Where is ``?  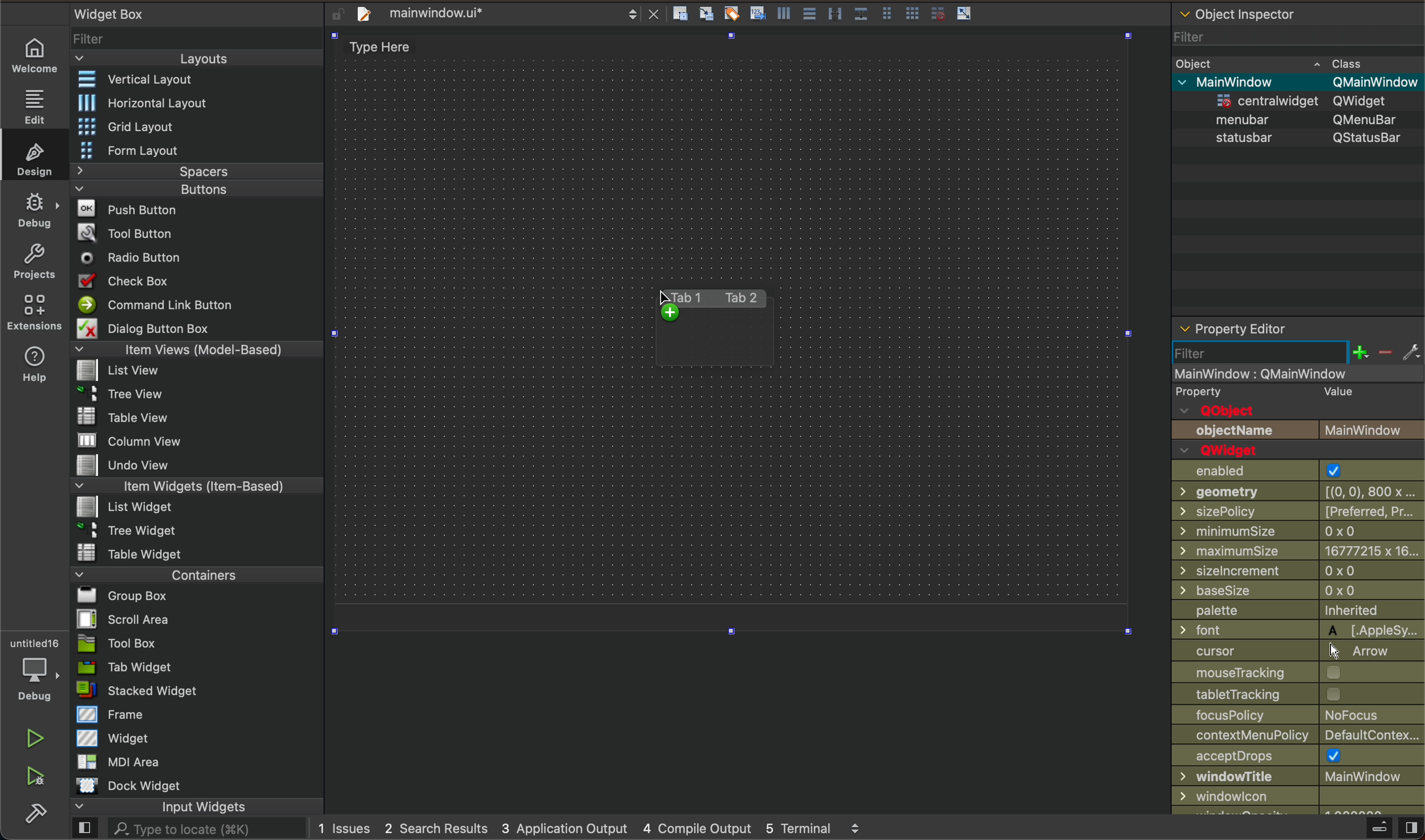
 is located at coordinates (1300, 673).